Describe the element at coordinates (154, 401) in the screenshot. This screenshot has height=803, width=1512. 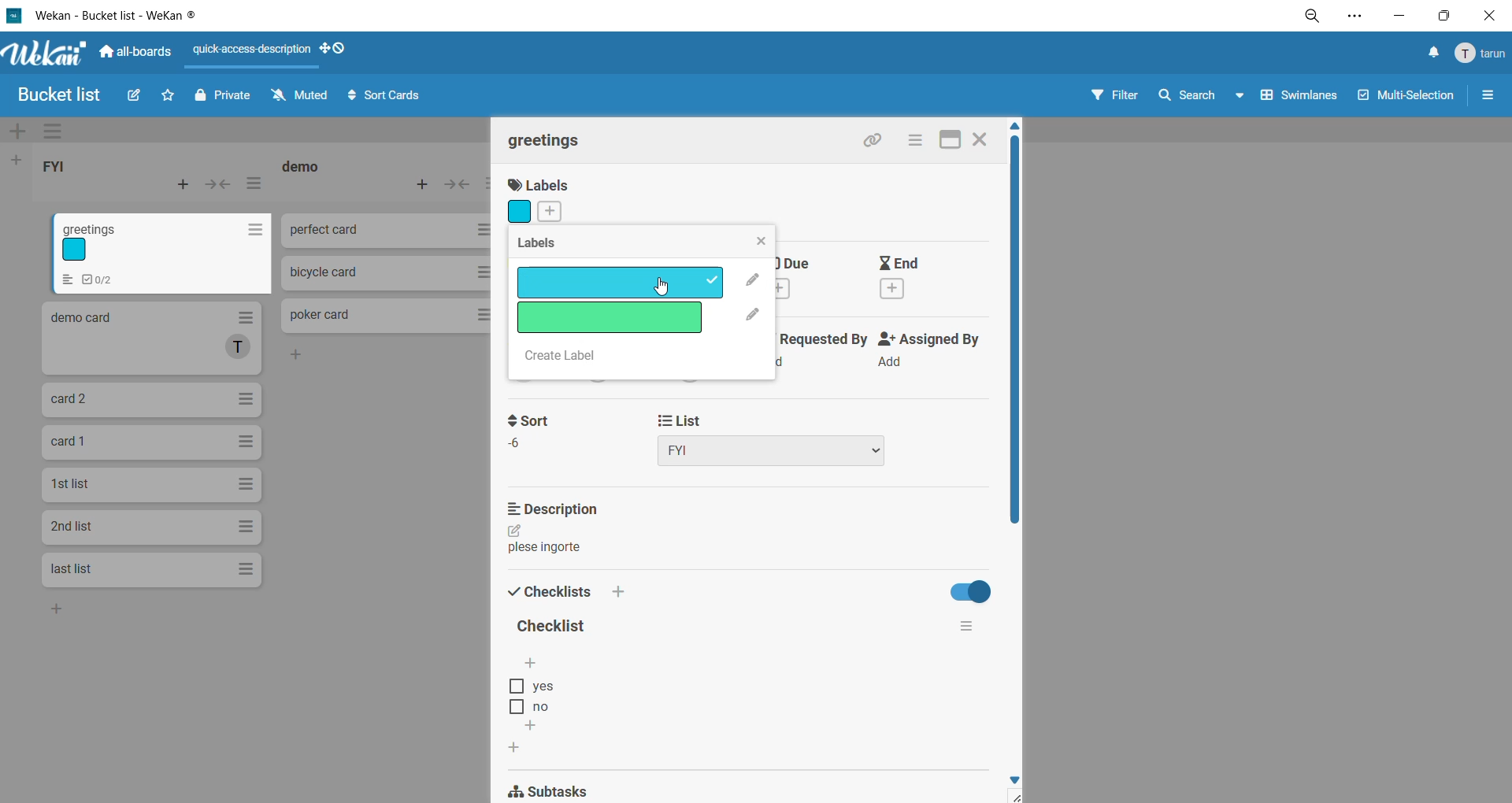
I see `card 2` at that location.